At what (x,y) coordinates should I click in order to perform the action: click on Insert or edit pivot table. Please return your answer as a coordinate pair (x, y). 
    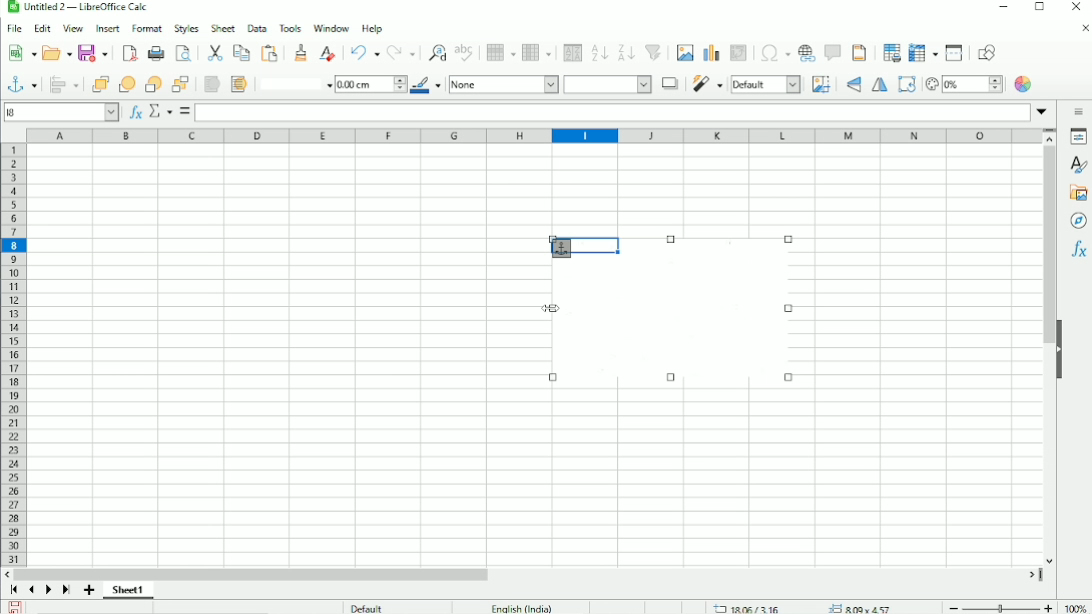
    Looking at the image, I should click on (740, 54).